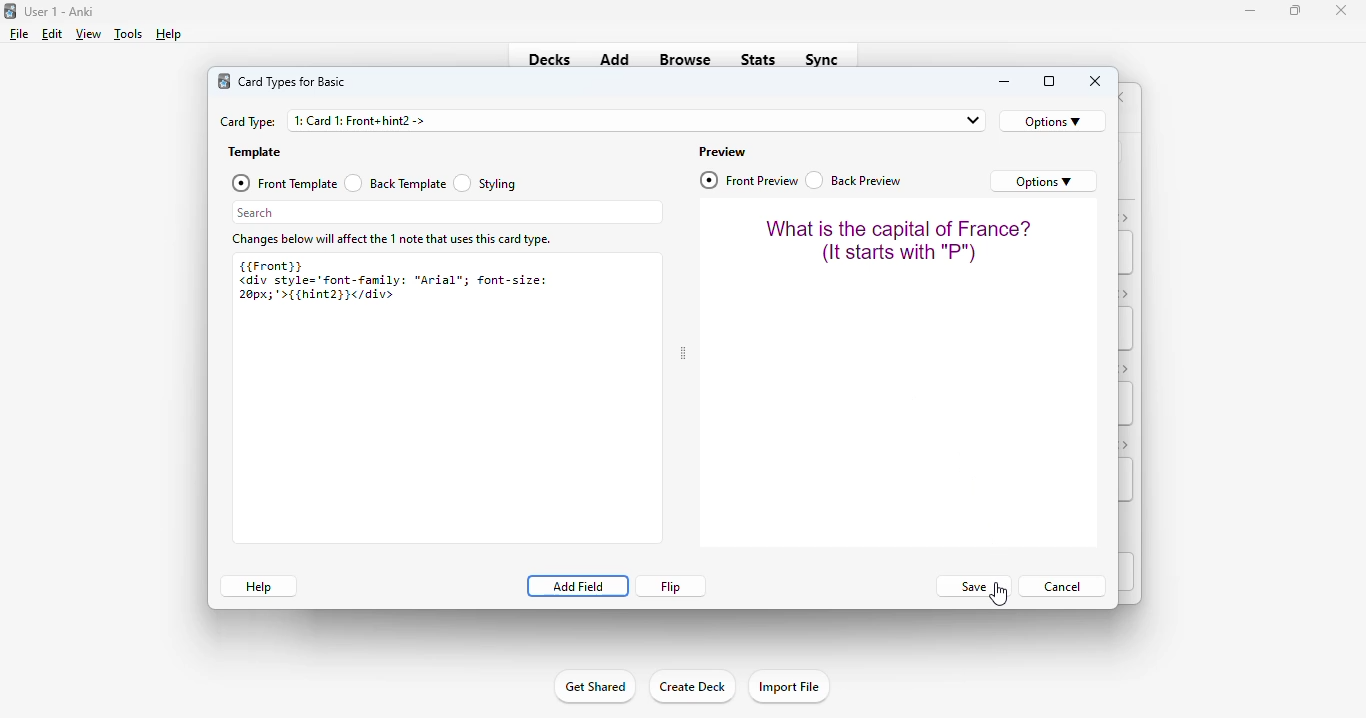 The image size is (1366, 718). What do you see at coordinates (224, 81) in the screenshot?
I see `logo` at bounding box center [224, 81].